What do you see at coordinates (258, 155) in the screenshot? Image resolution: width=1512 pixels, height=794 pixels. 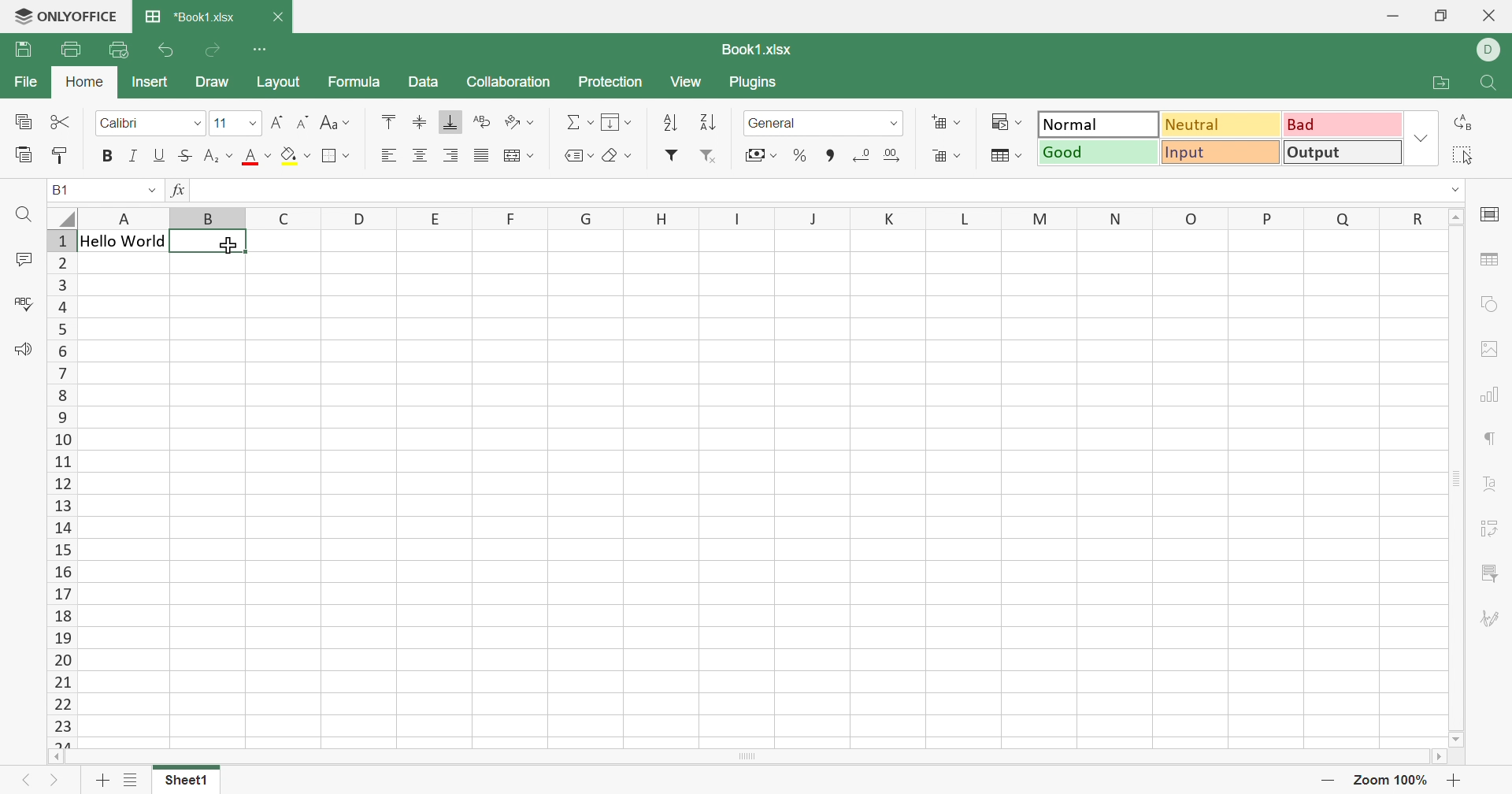 I see `Font color` at bounding box center [258, 155].